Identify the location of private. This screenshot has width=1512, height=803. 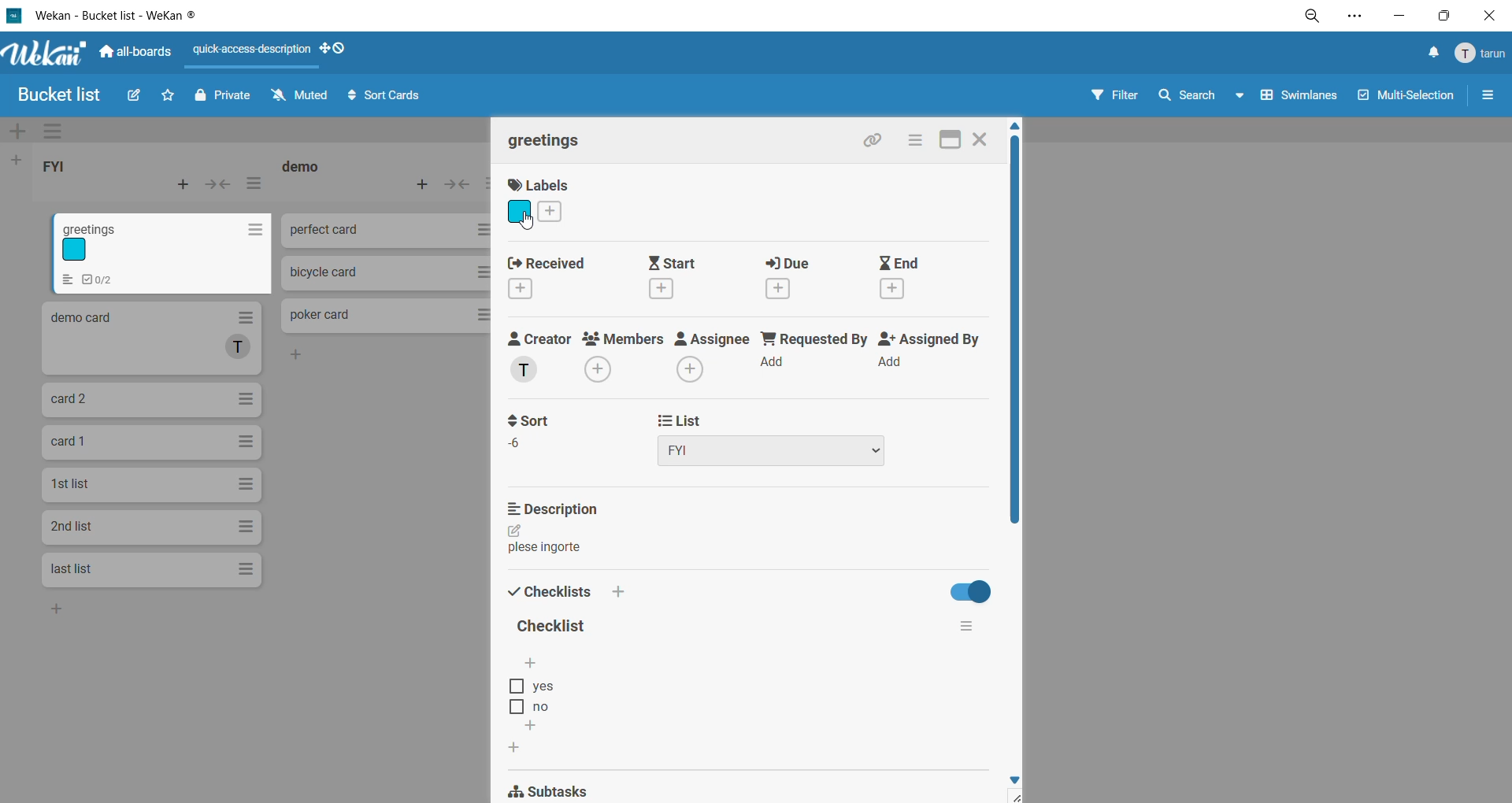
(232, 98).